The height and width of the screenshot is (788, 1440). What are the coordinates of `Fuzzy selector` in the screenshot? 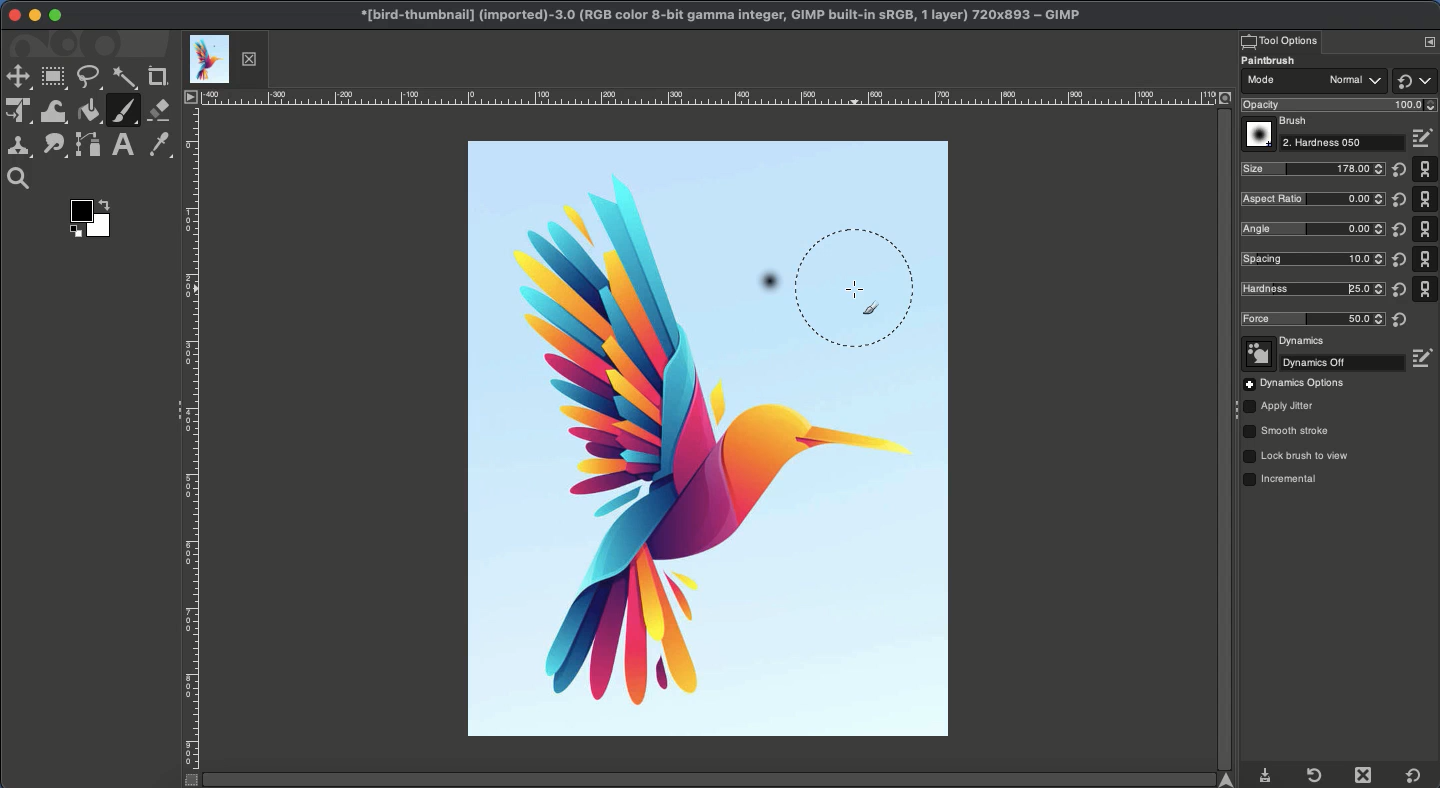 It's located at (125, 79).